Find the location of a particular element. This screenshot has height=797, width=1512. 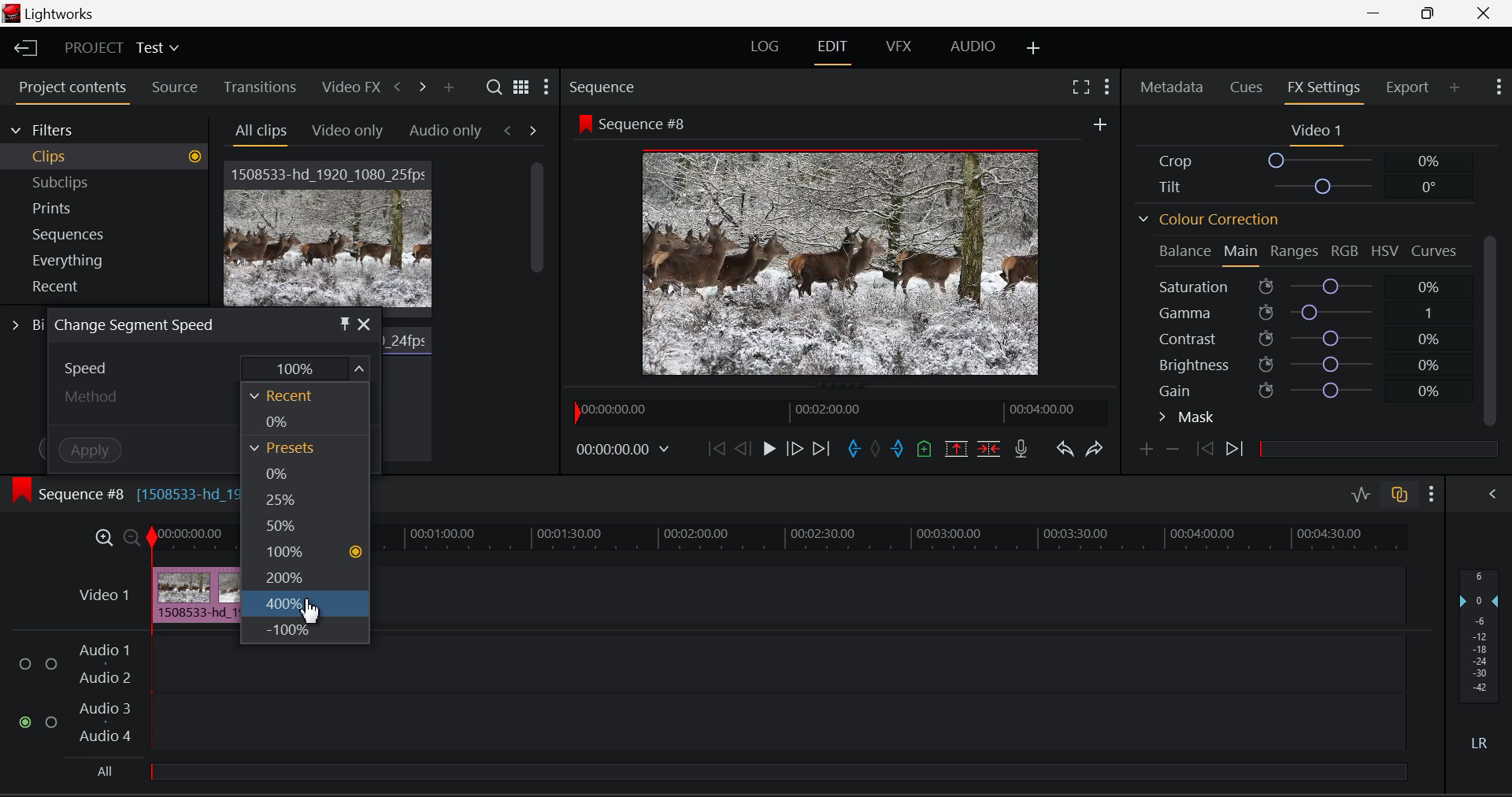

Record Voice-over is located at coordinates (1021, 449).